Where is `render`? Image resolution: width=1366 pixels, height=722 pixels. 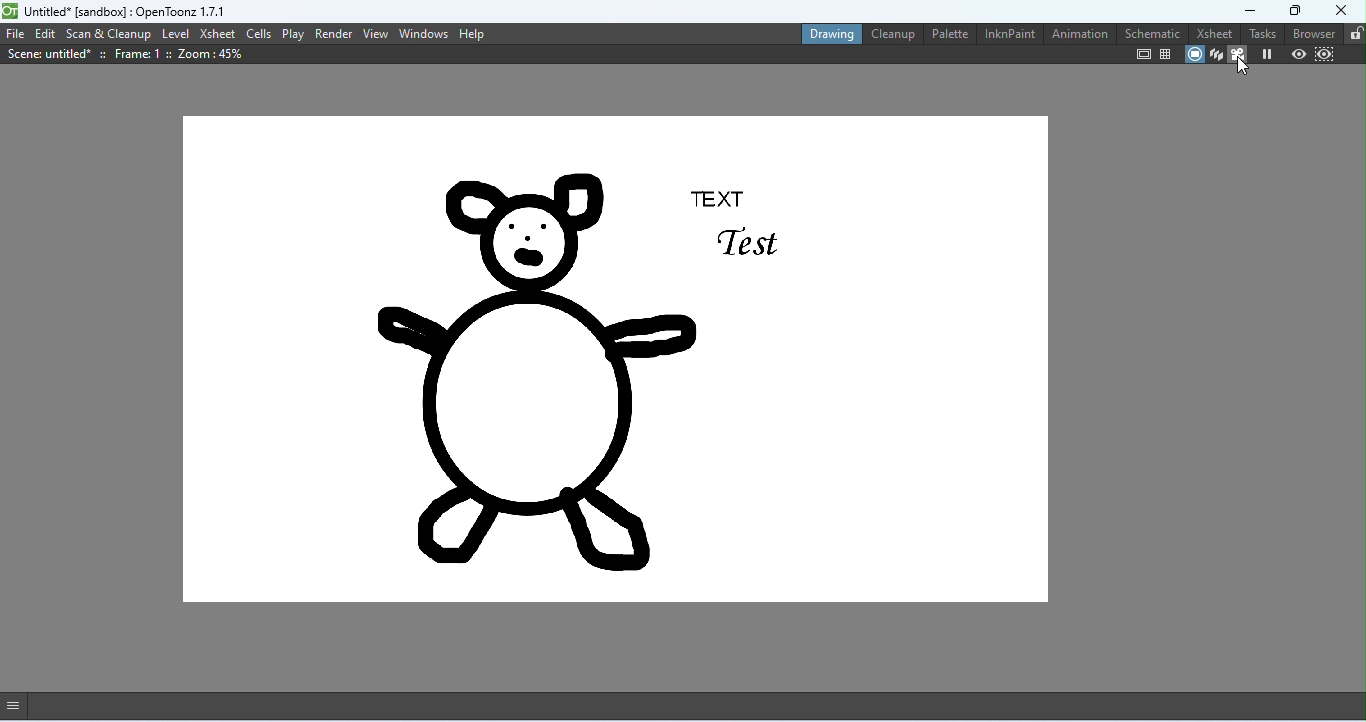
render is located at coordinates (334, 33).